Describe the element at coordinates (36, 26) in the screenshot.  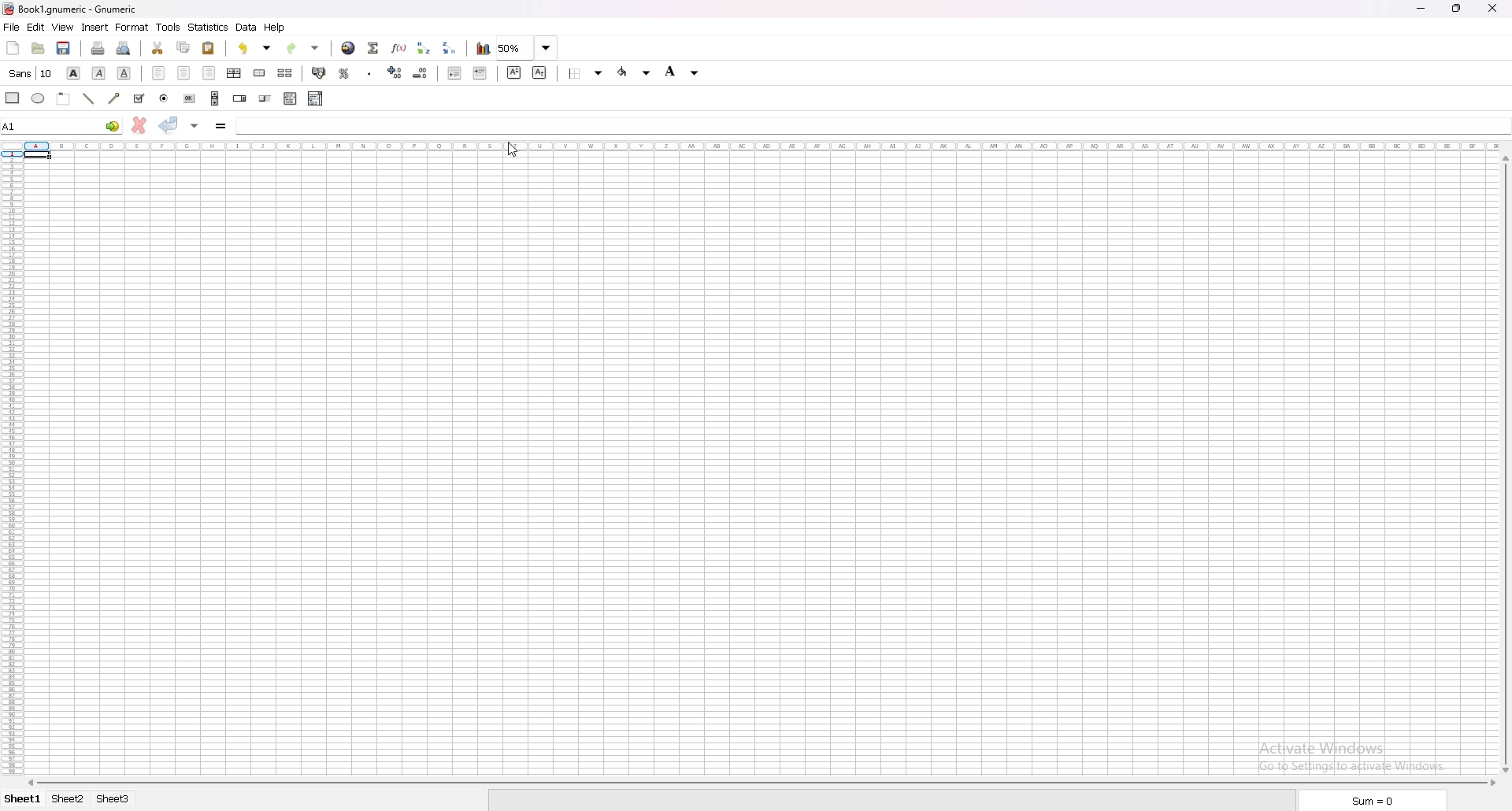
I see `edit` at that location.